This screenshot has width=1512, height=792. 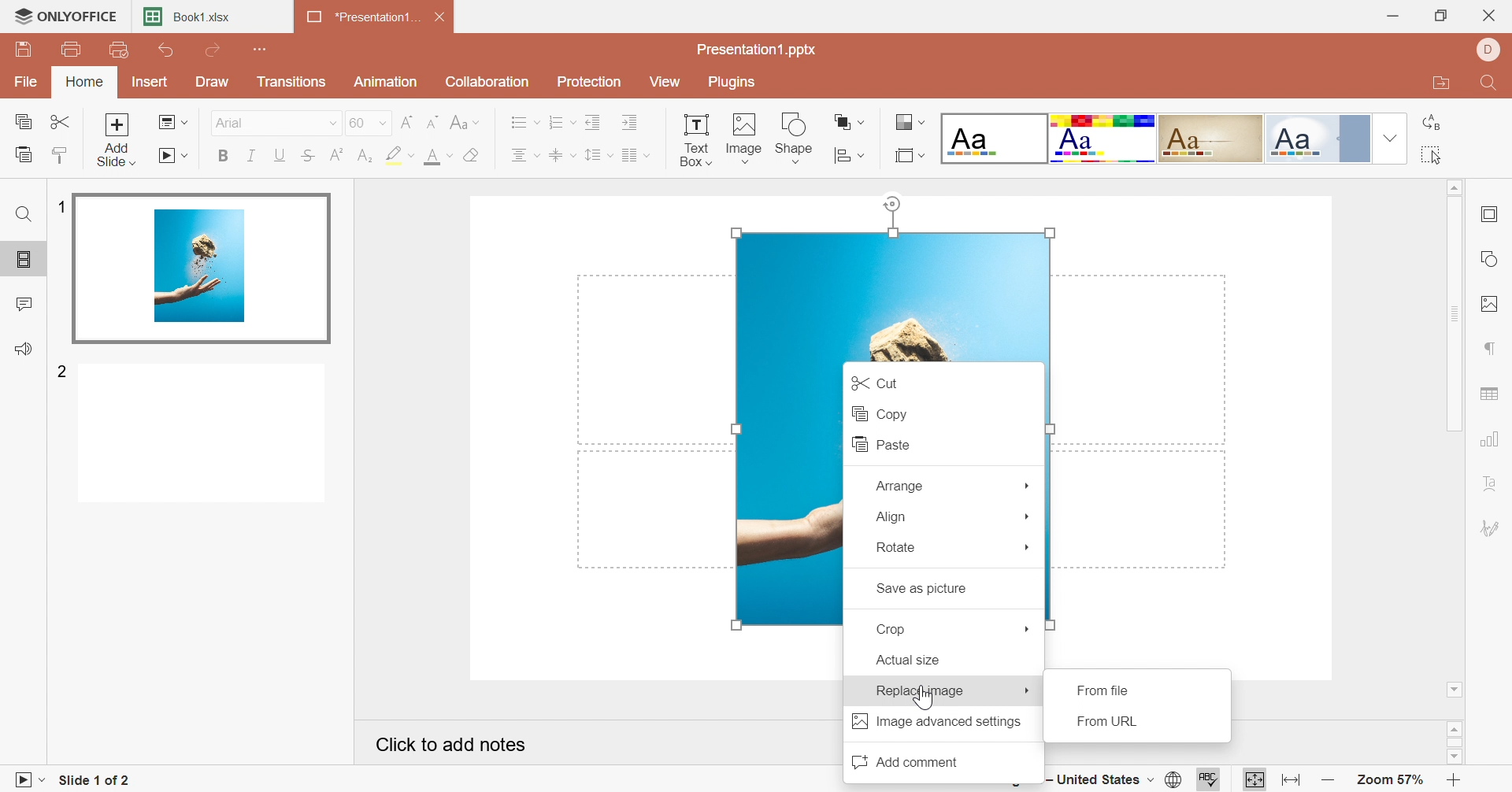 I want to click on Close, so click(x=442, y=15).